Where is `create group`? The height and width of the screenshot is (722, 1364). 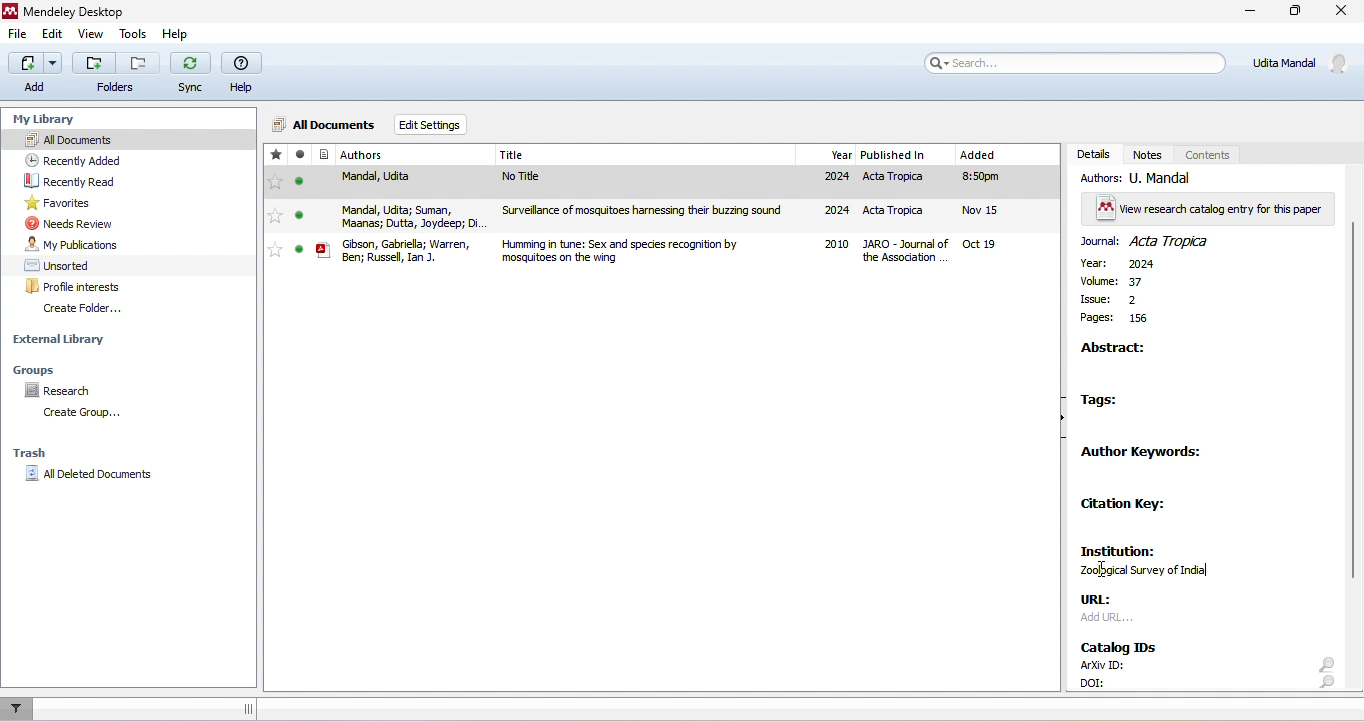
create group is located at coordinates (81, 414).